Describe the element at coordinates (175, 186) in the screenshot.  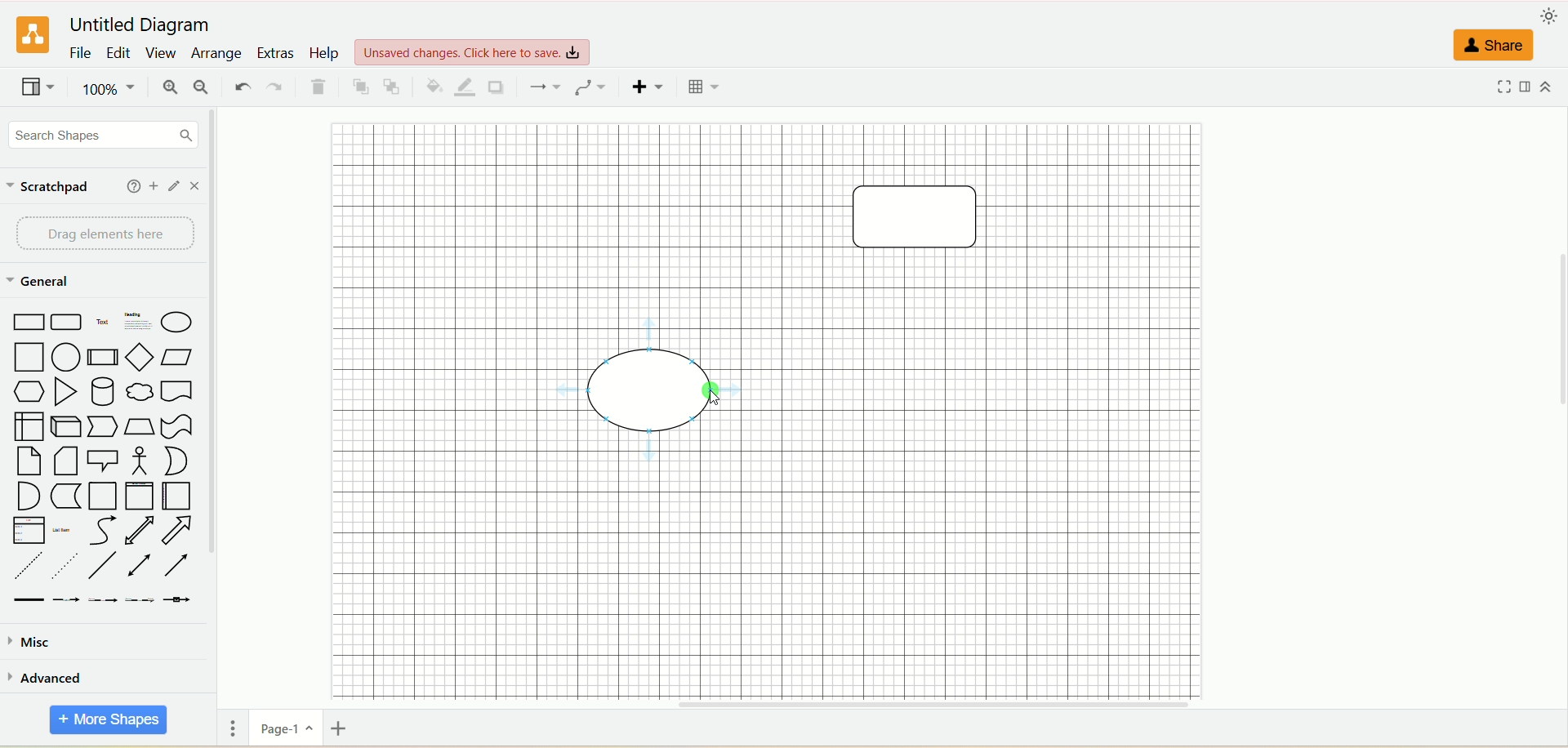
I see `edit` at that location.